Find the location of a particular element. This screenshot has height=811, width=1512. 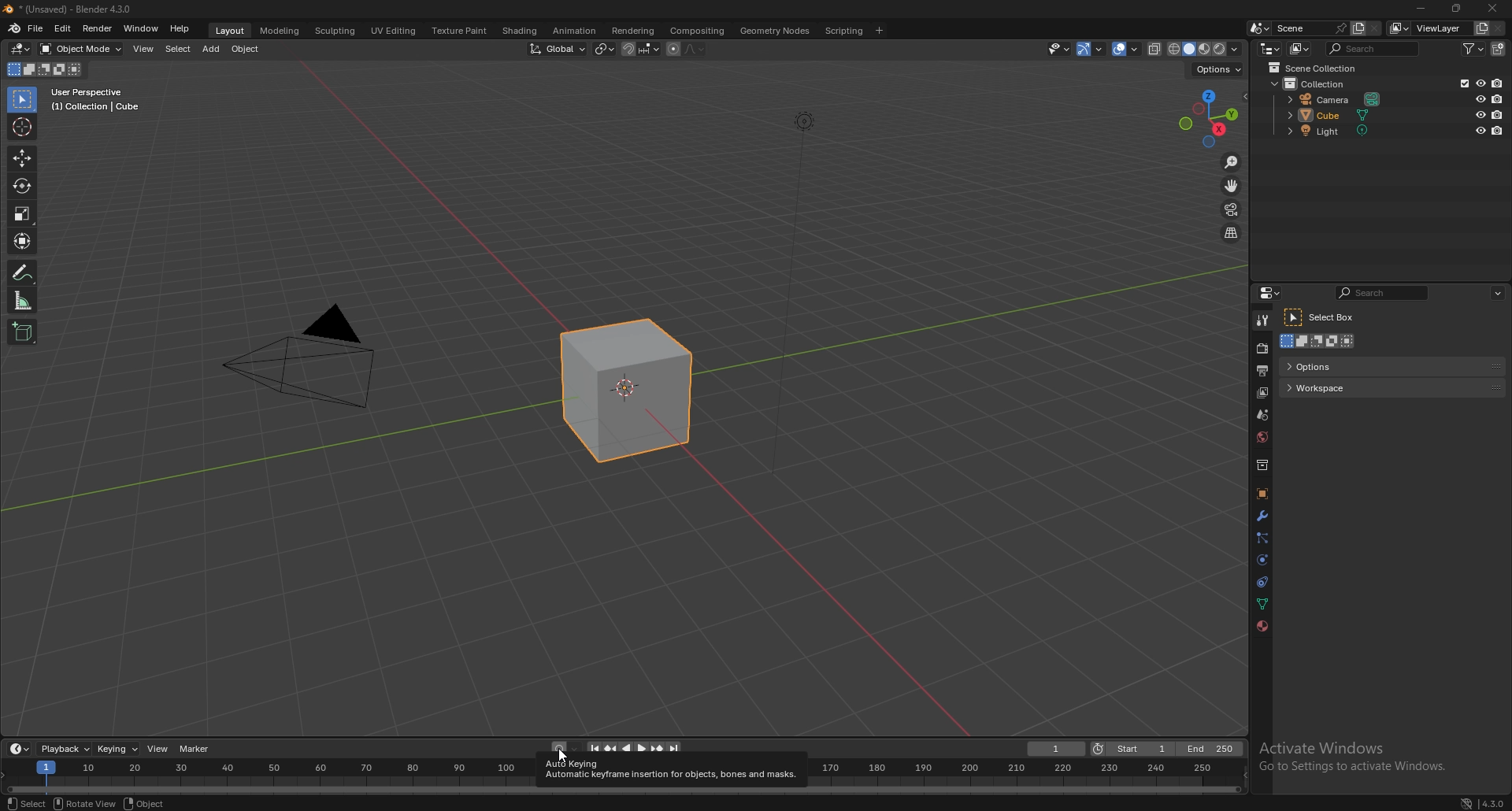

mode is located at coordinates (1321, 342).